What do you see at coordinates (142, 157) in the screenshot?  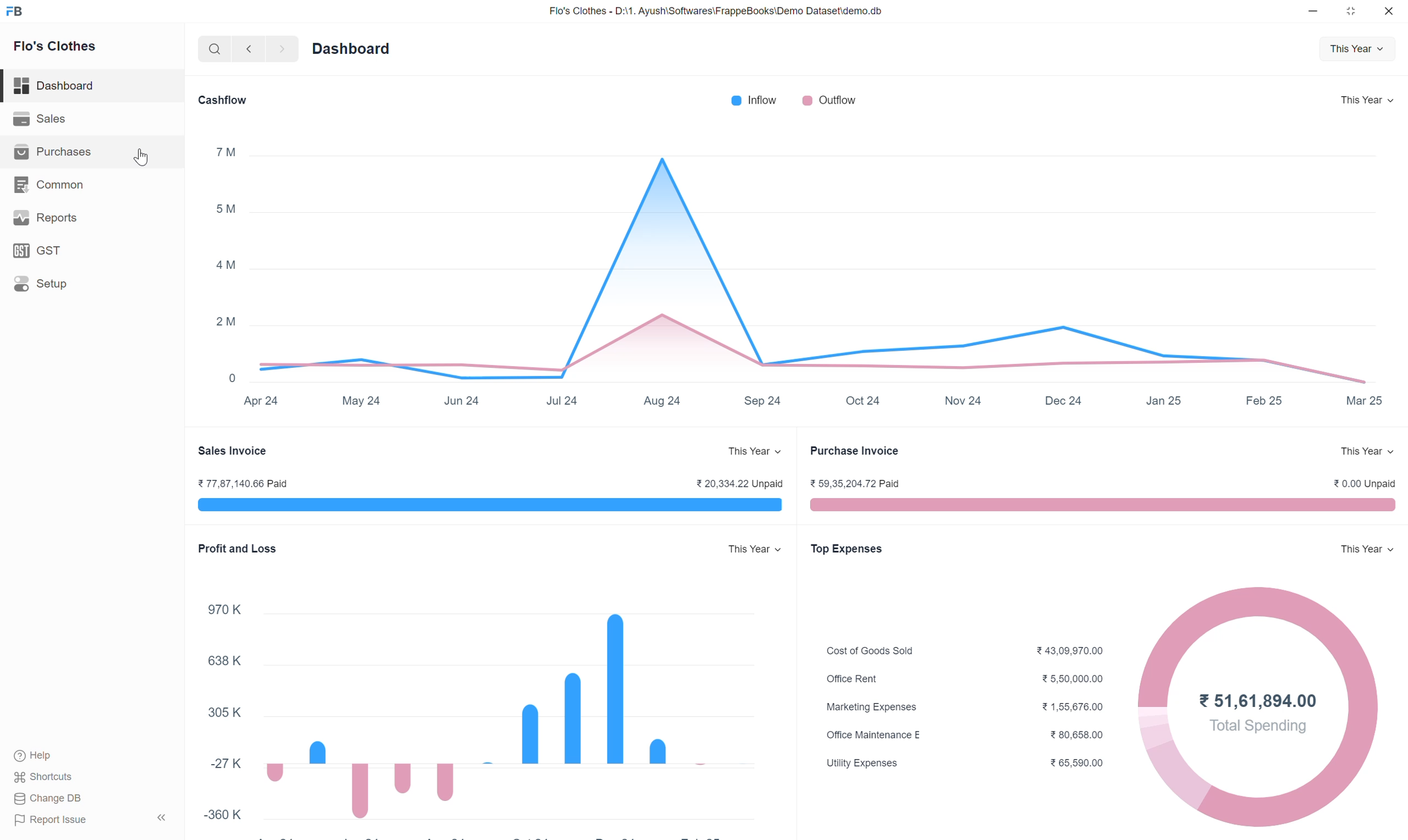 I see `cursor` at bounding box center [142, 157].